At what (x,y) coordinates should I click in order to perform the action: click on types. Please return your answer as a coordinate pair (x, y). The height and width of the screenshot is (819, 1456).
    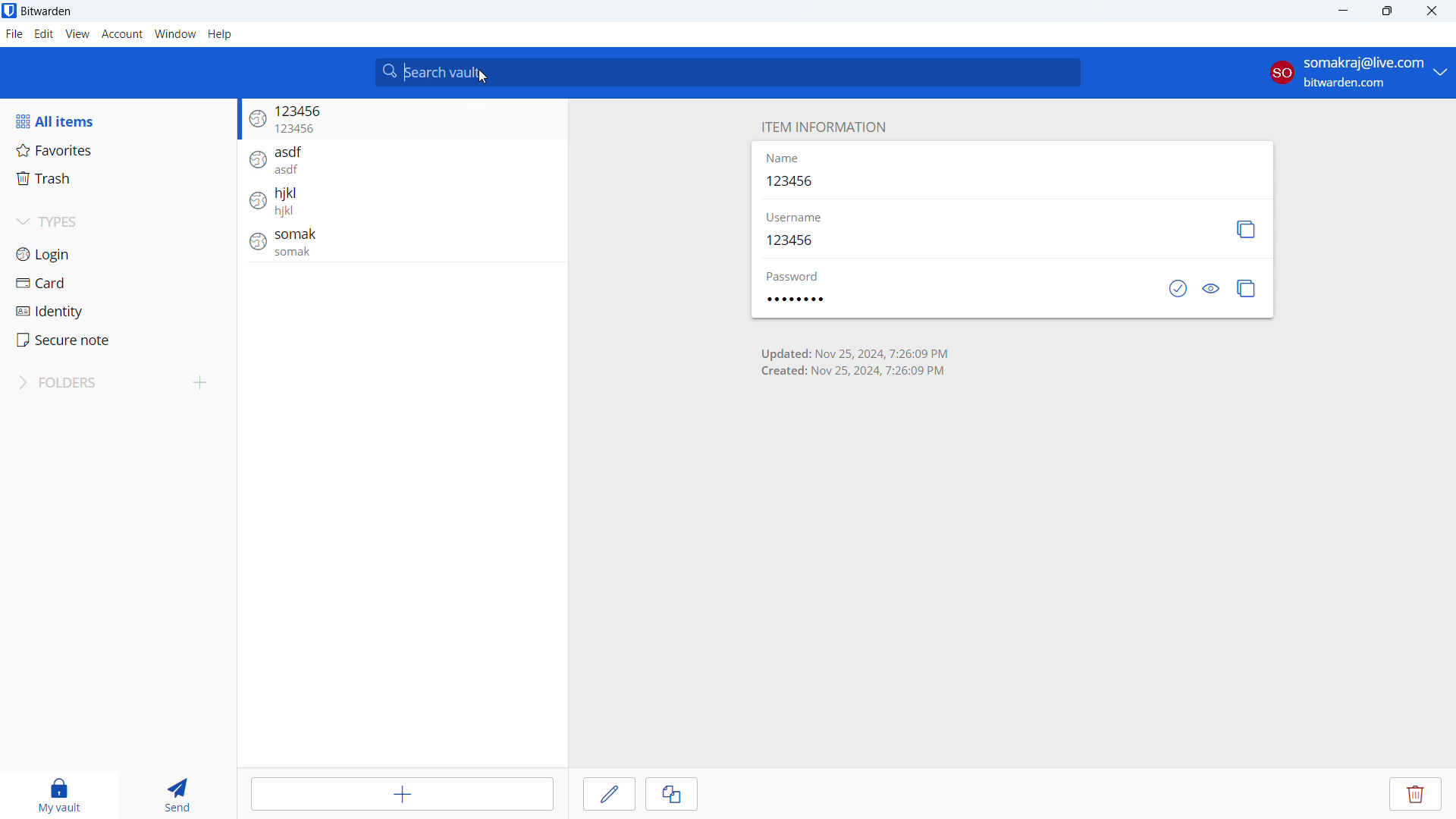
    Looking at the image, I should click on (119, 221).